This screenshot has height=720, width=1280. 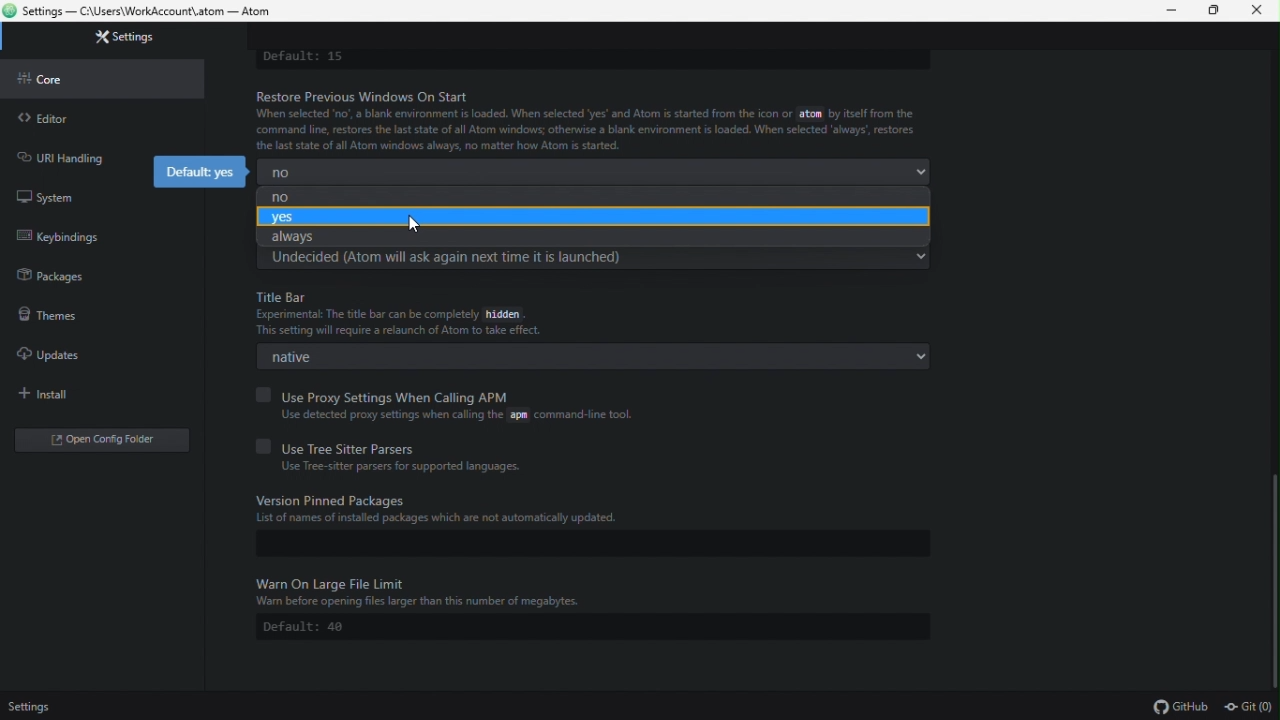 What do you see at coordinates (1260, 11) in the screenshot?
I see `close` at bounding box center [1260, 11].